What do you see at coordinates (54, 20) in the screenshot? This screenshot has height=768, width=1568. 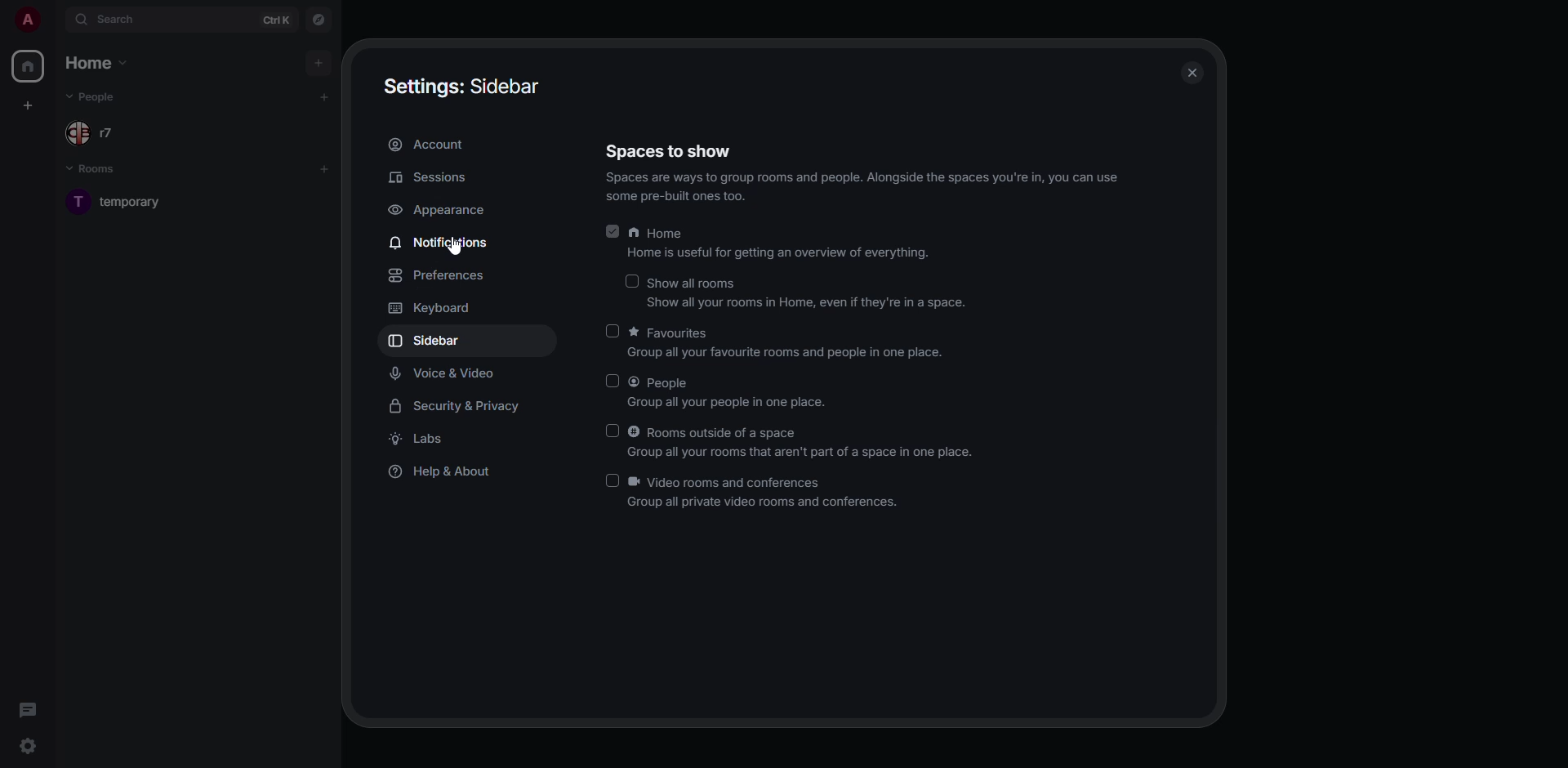 I see `expand` at bounding box center [54, 20].